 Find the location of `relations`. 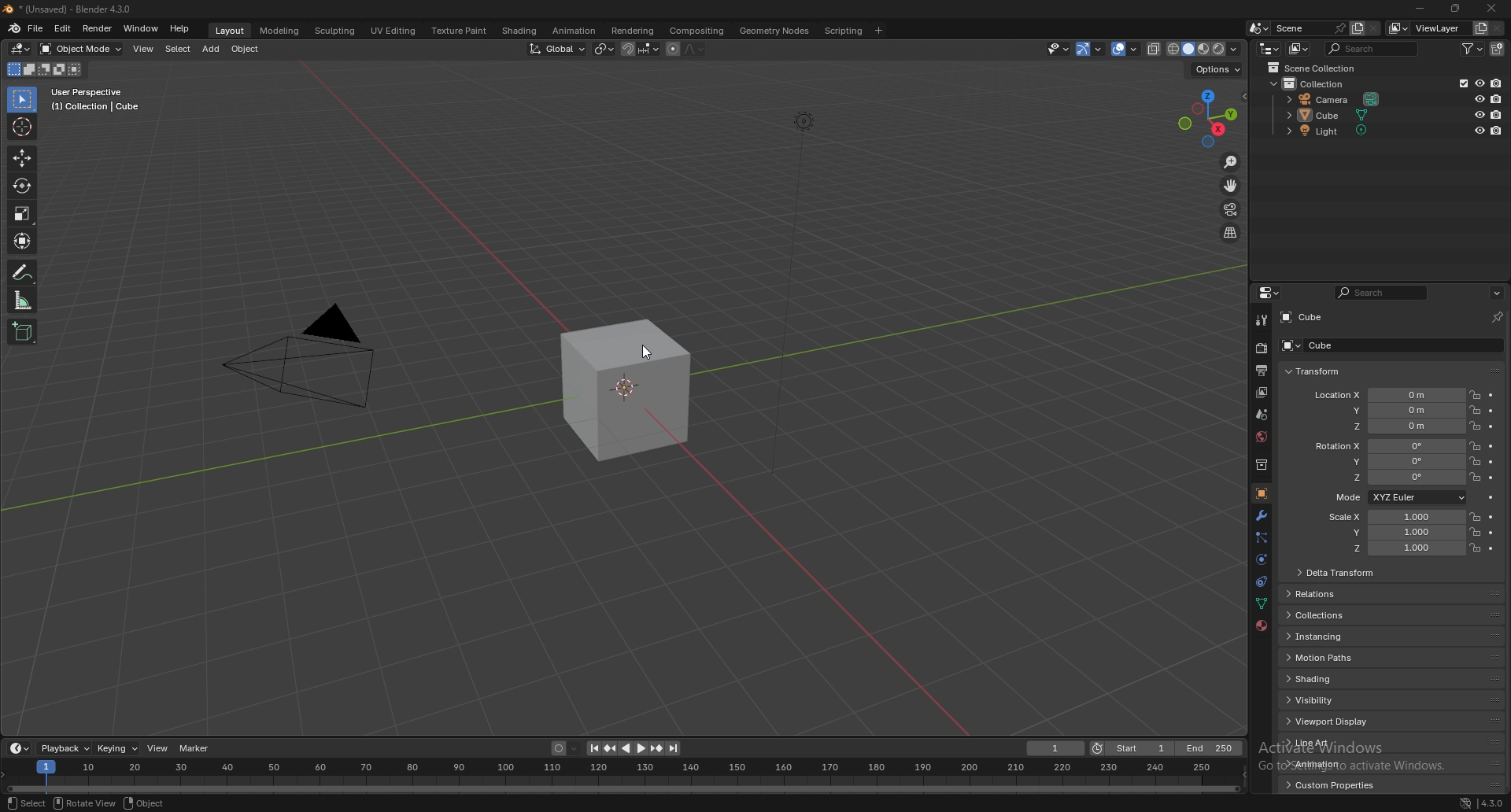

relations is located at coordinates (1320, 594).